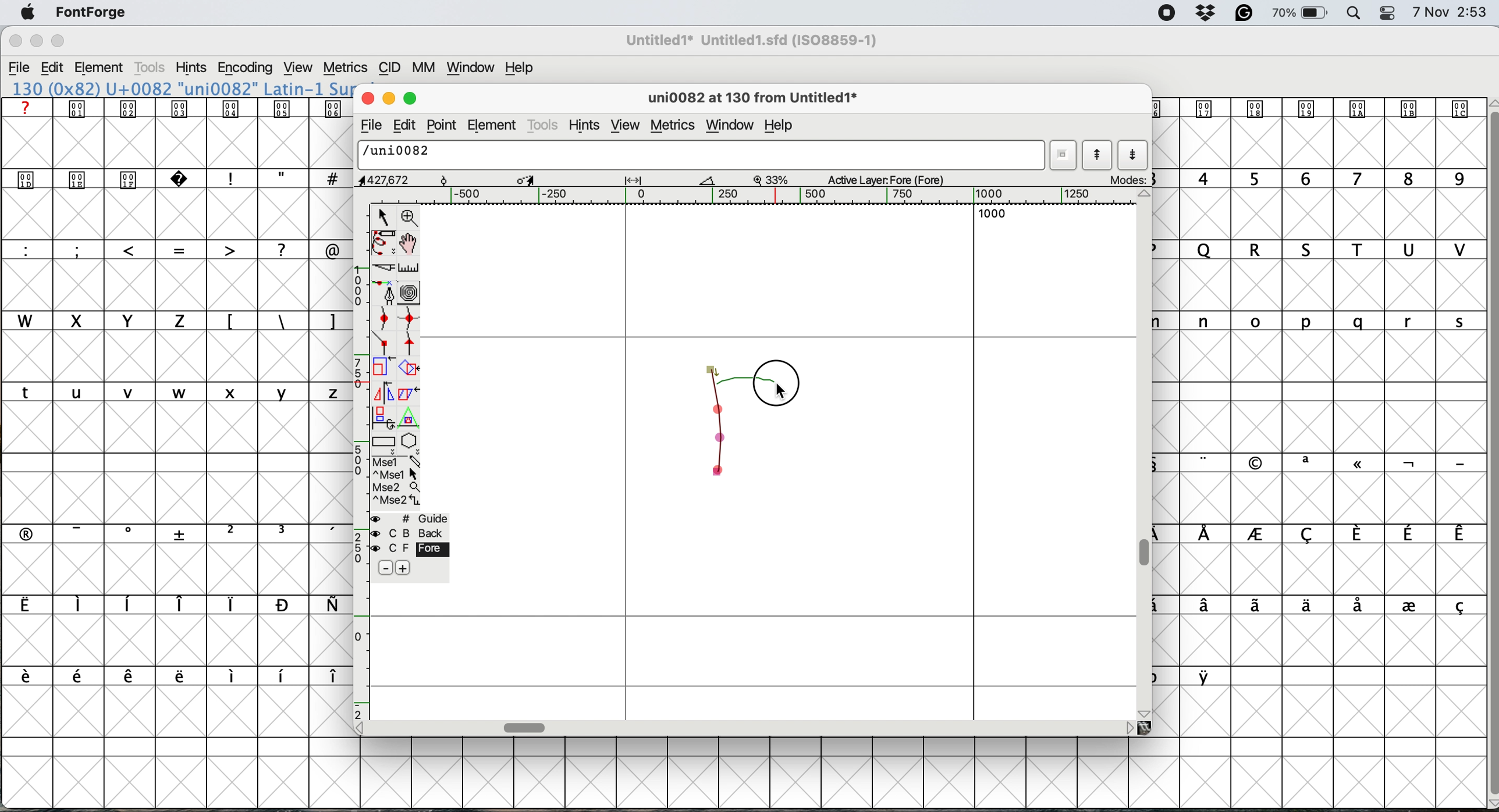  Describe the element at coordinates (428, 69) in the screenshot. I see `mm` at that location.